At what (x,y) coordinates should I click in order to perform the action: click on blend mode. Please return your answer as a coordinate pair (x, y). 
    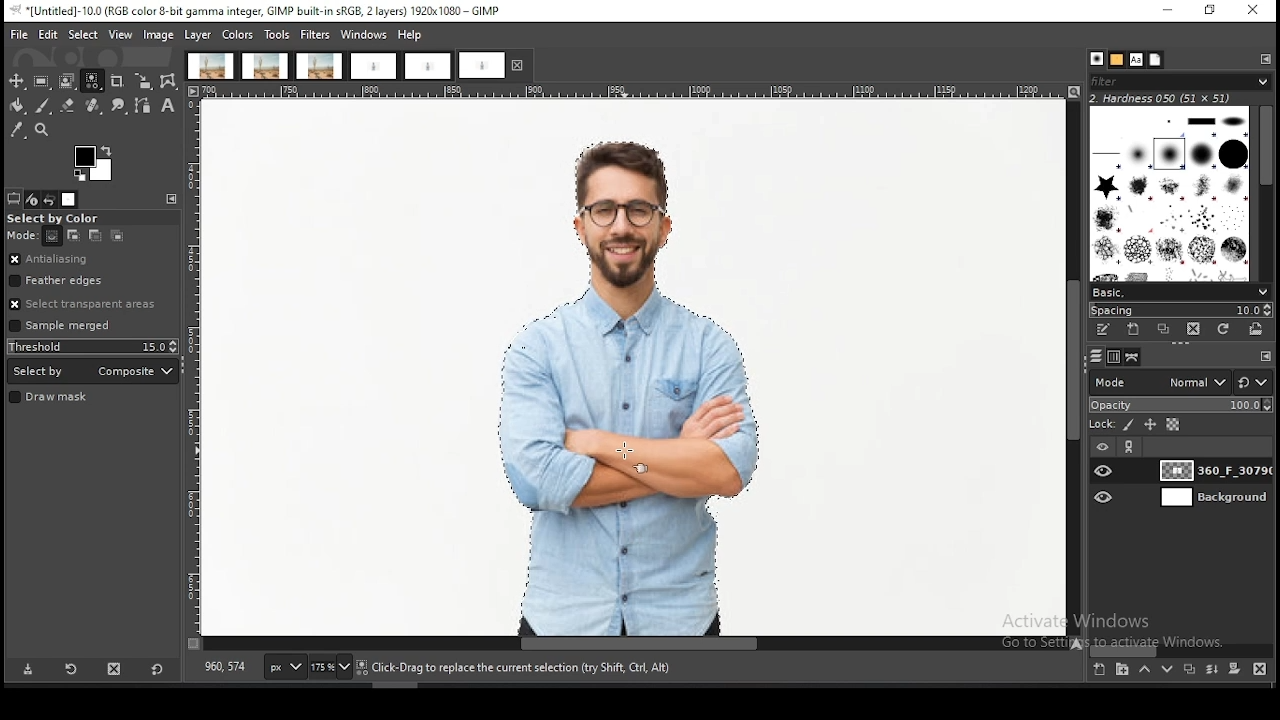
    Looking at the image, I should click on (1159, 382).